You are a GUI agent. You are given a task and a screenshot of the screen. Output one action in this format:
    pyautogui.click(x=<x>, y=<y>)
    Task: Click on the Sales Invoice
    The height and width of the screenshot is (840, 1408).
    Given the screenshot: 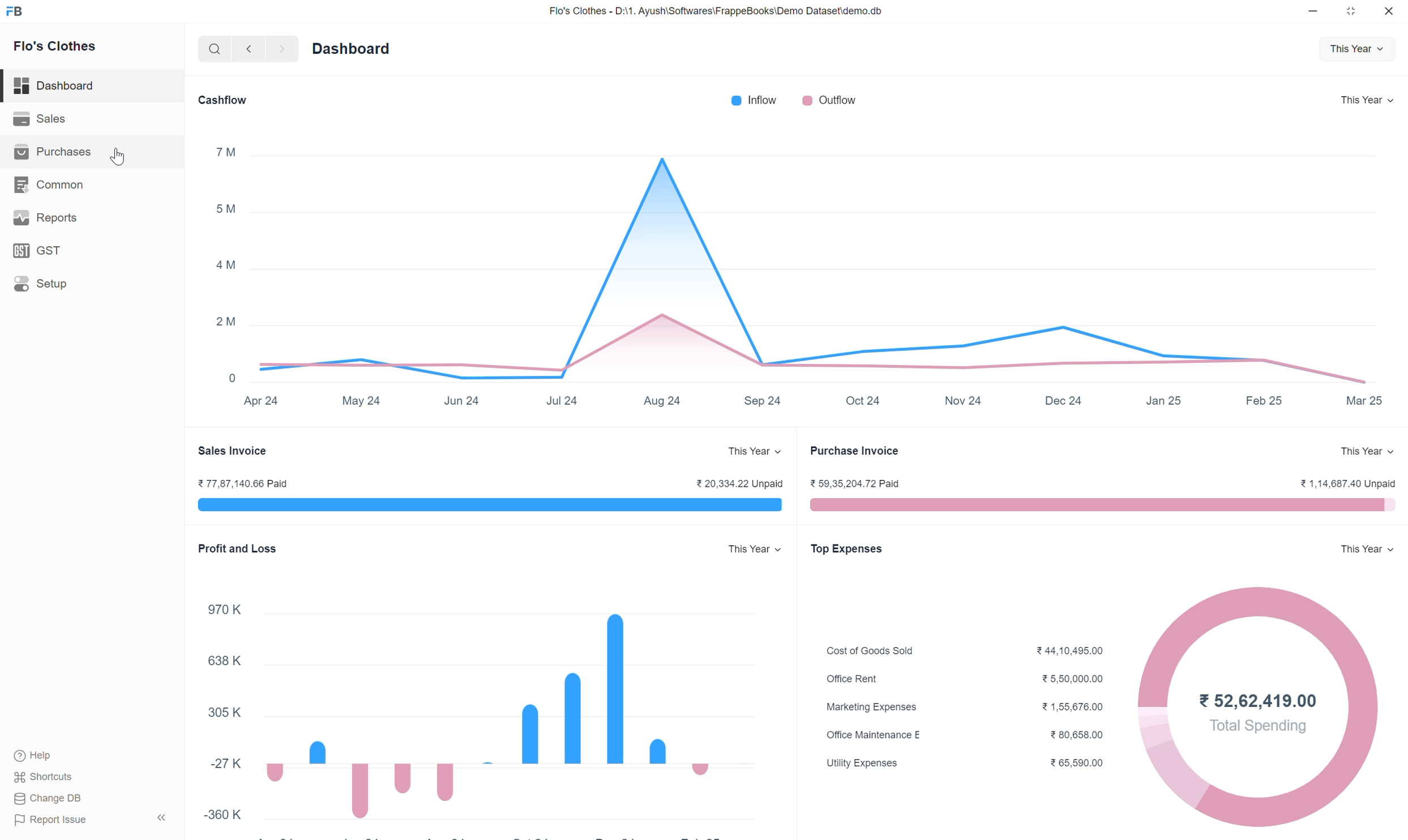 What is the action you would take?
    pyautogui.click(x=232, y=451)
    